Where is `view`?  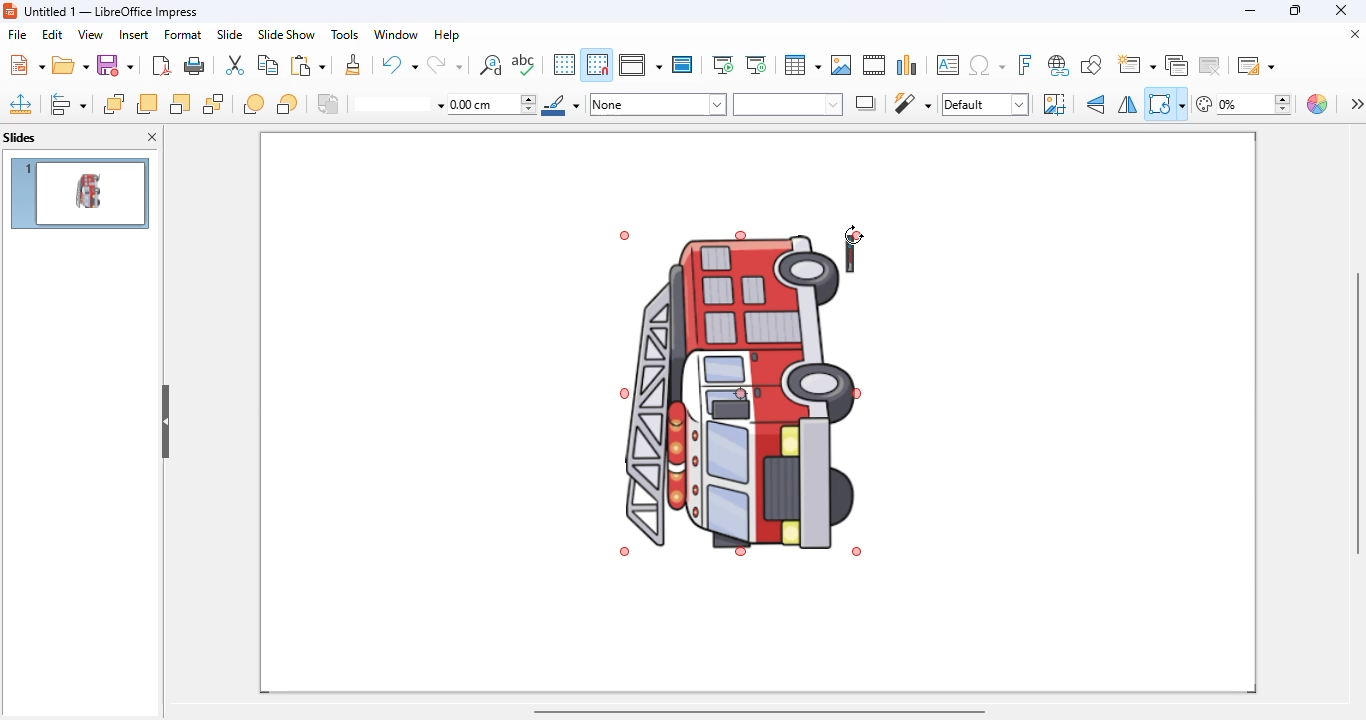 view is located at coordinates (90, 35).